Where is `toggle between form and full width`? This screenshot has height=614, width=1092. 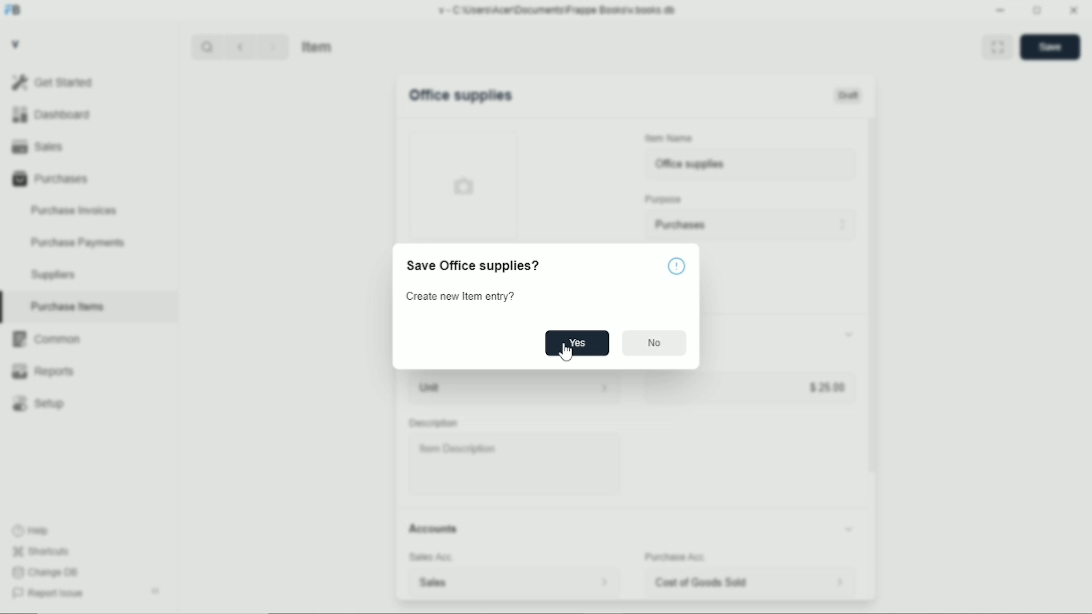 toggle between form and full width is located at coordinates (998, 46).